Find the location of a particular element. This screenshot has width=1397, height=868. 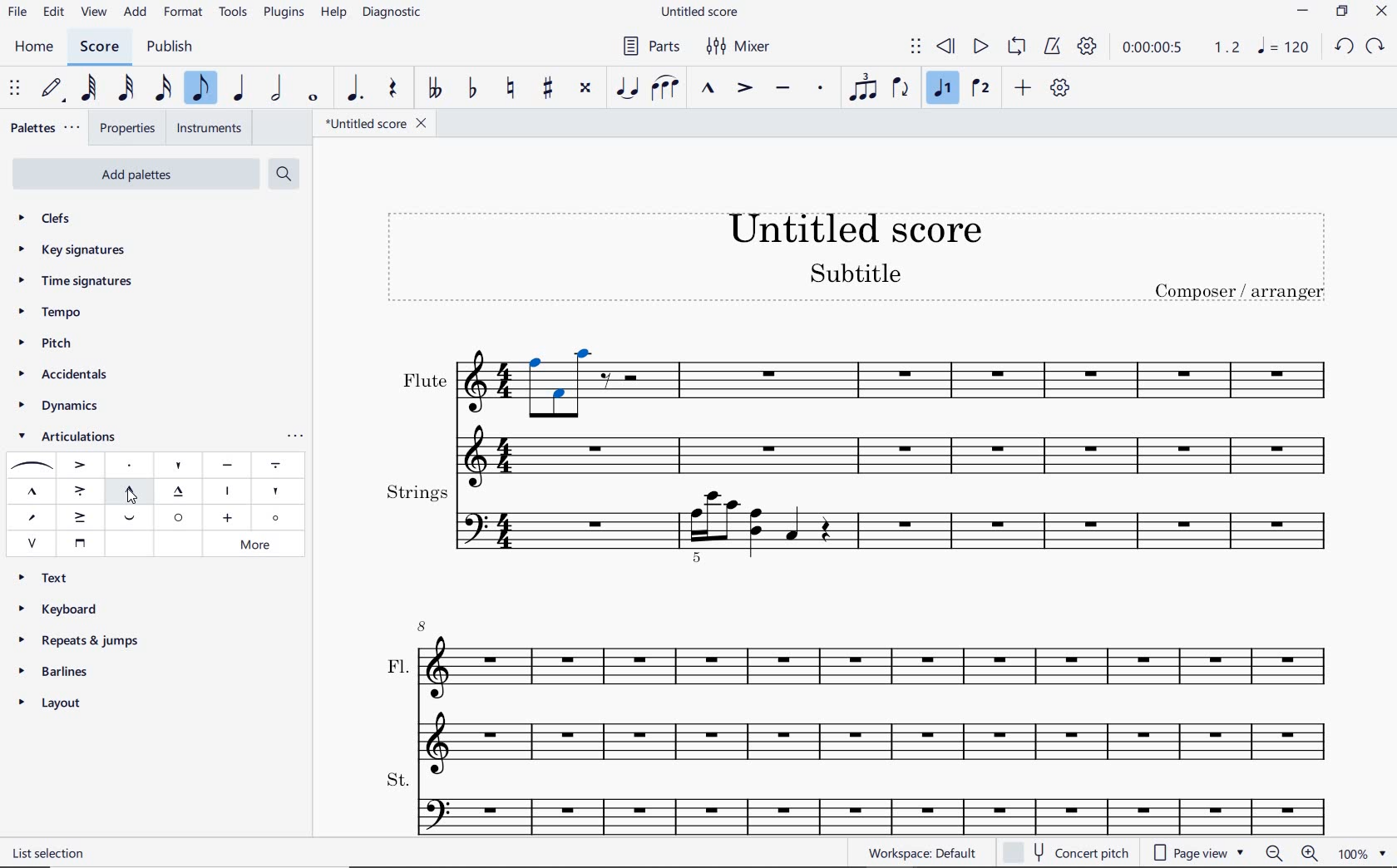

PARTS is located at coordinates (650, 47).